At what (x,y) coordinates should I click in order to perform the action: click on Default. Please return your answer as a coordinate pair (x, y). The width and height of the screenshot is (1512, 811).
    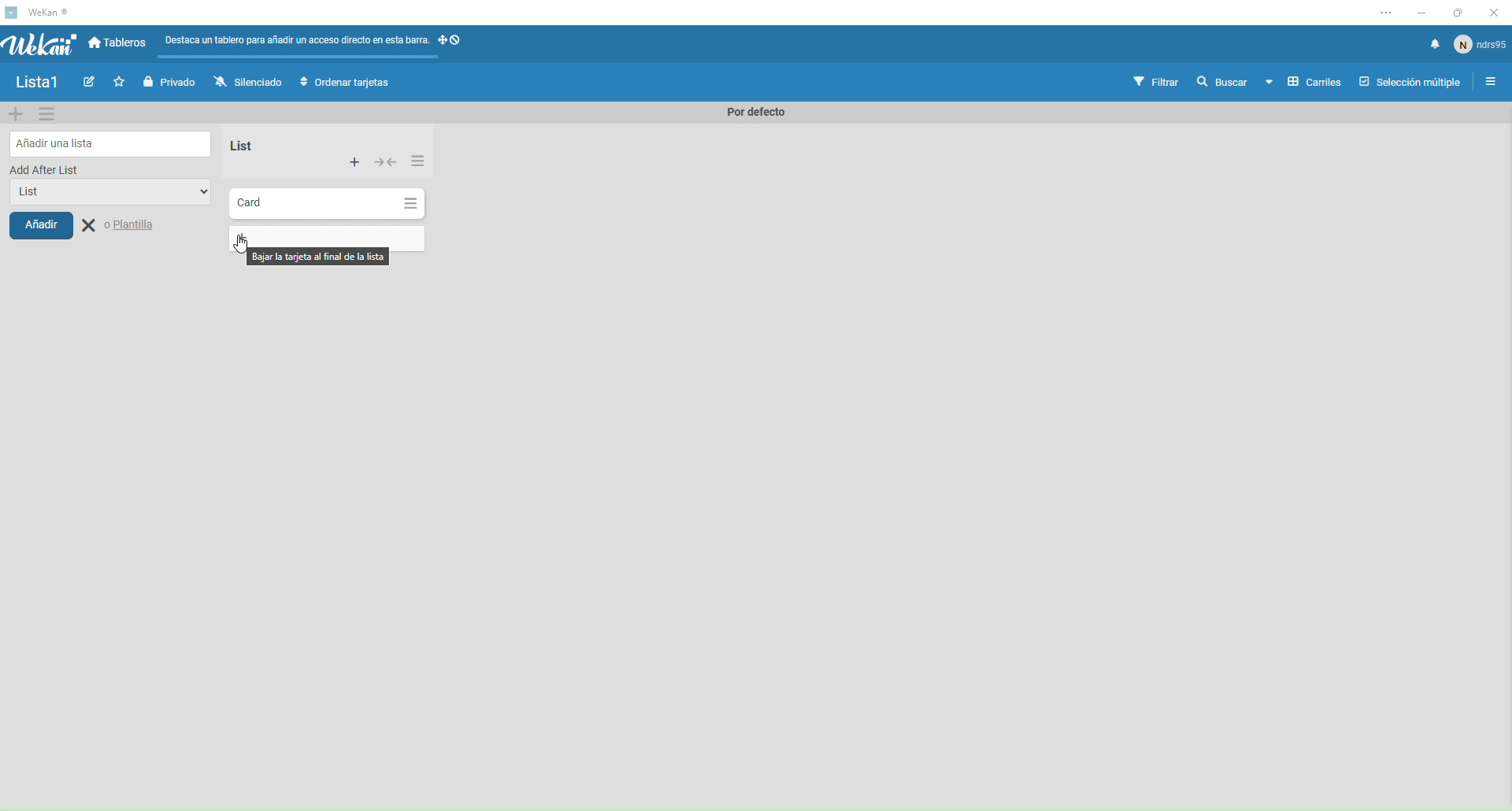
    Looking at the image, I should click on (751, 113).